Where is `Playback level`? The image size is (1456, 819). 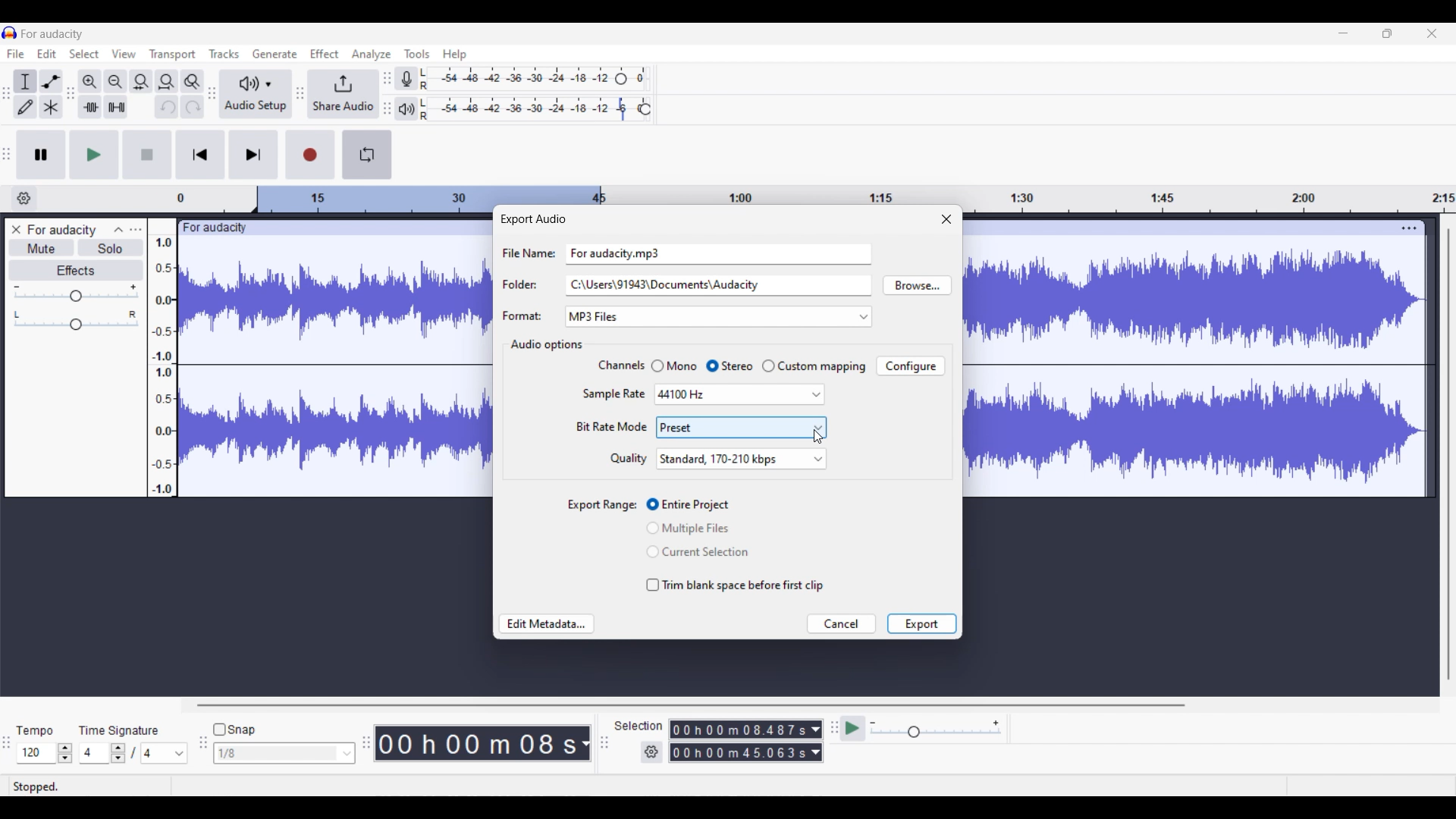
Playback level is located at coordinates (526, 109).